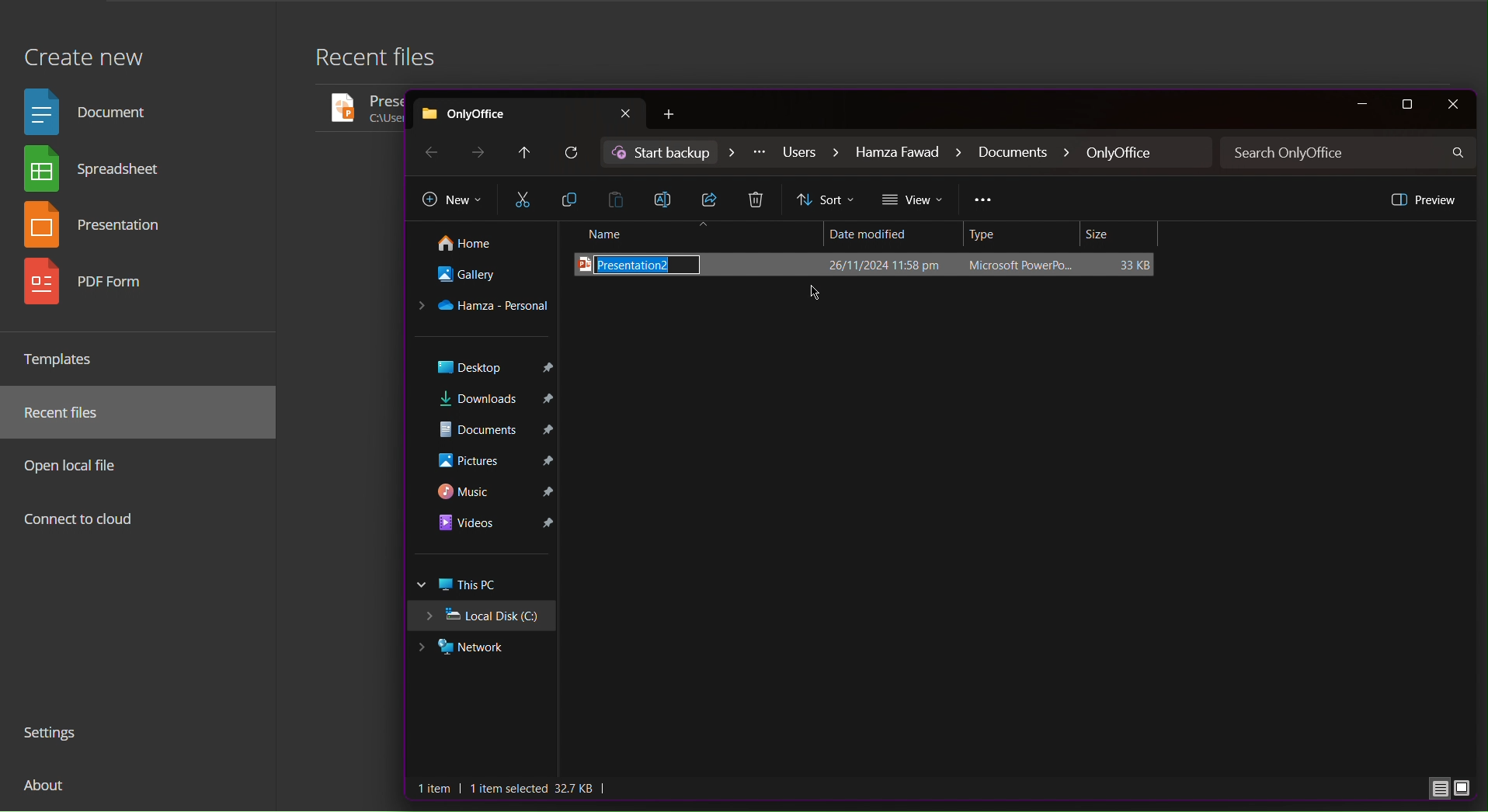 This screenshot has width=1488, height=812. What do you see at coordinates (759, 201) in the screenshot?
I see `Delete` at bounding box center [759, 201].